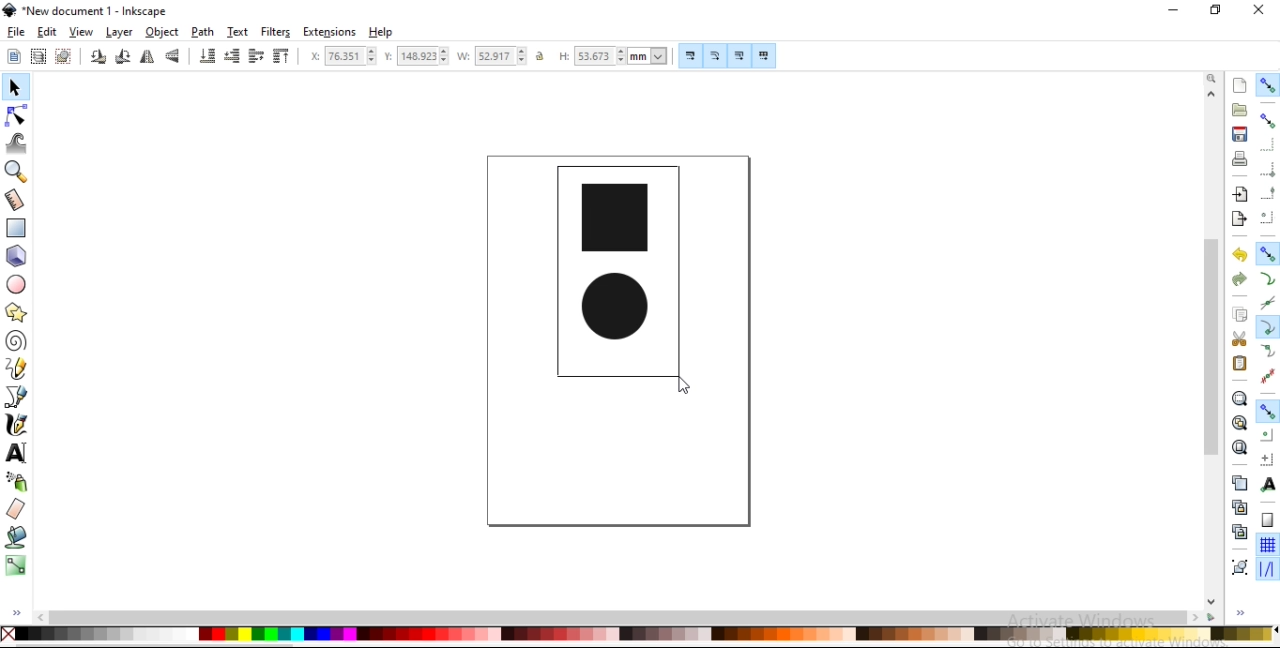  I want to click on duplicate selected objects, so click(1241, 485).